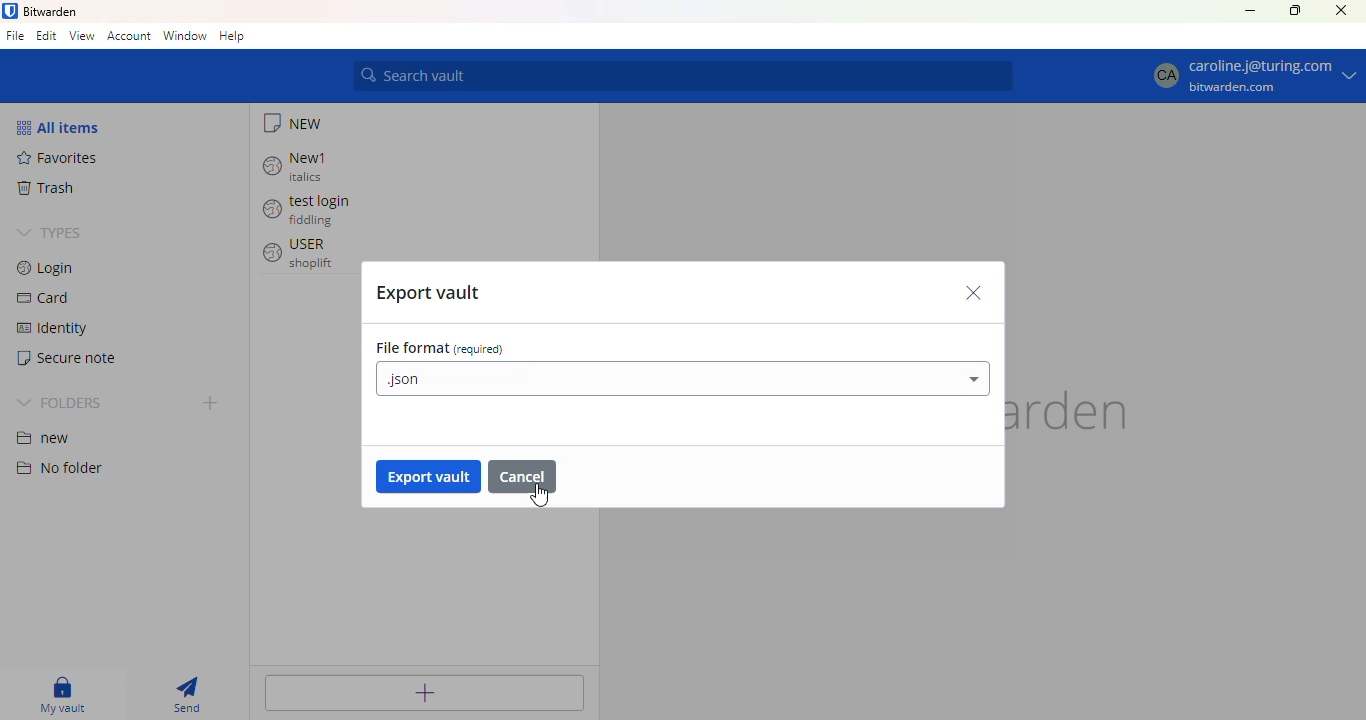 The height and width of the screenshot is (720, 1366). Describe the element at coordinates (42, 439) in the screenshot. I see `new` at that location.